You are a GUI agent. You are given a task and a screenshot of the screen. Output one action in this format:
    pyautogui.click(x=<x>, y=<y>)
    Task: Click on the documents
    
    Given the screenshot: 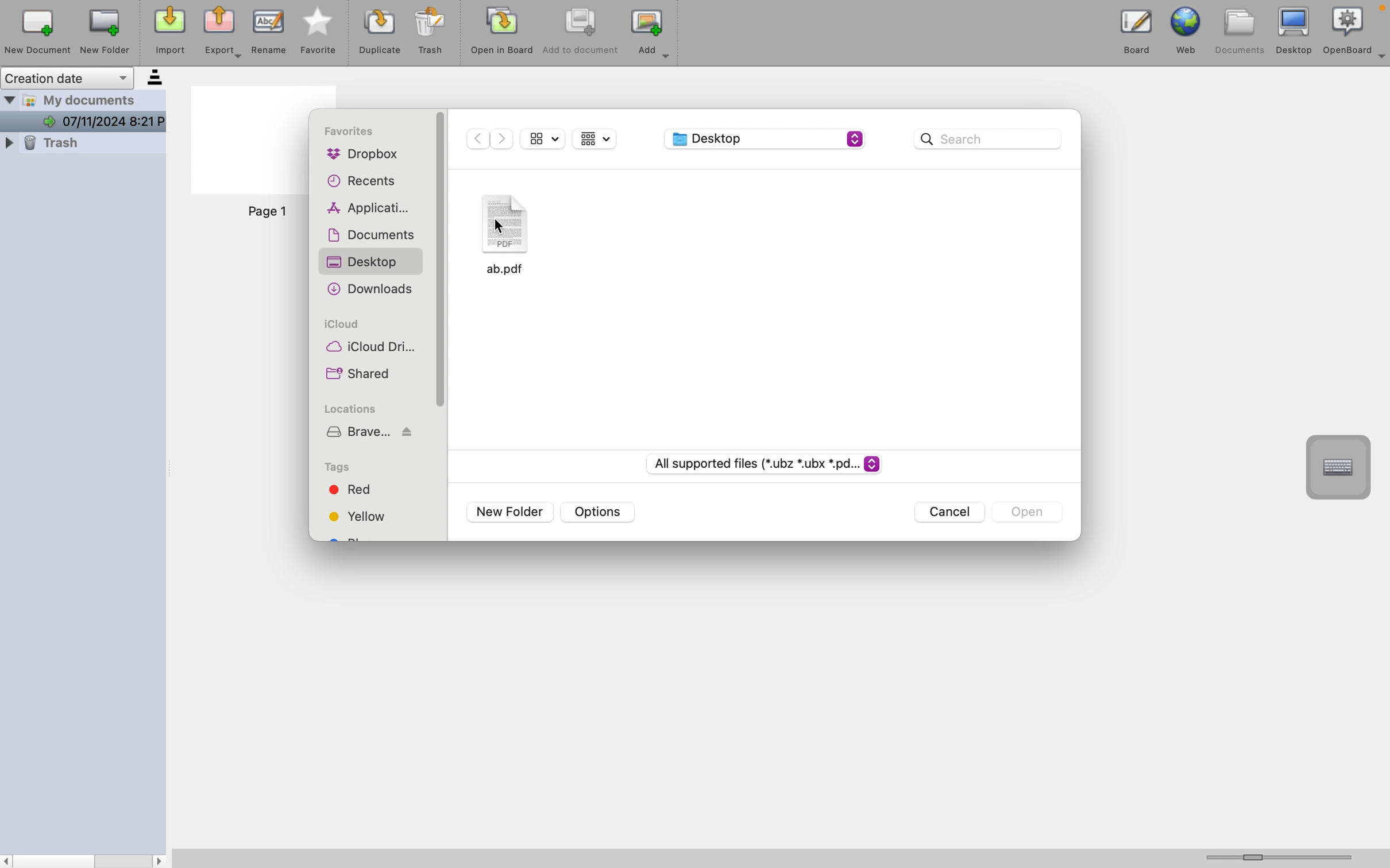 What is the action you would take?
    pyautogui.click(x=1243, y=30)
    